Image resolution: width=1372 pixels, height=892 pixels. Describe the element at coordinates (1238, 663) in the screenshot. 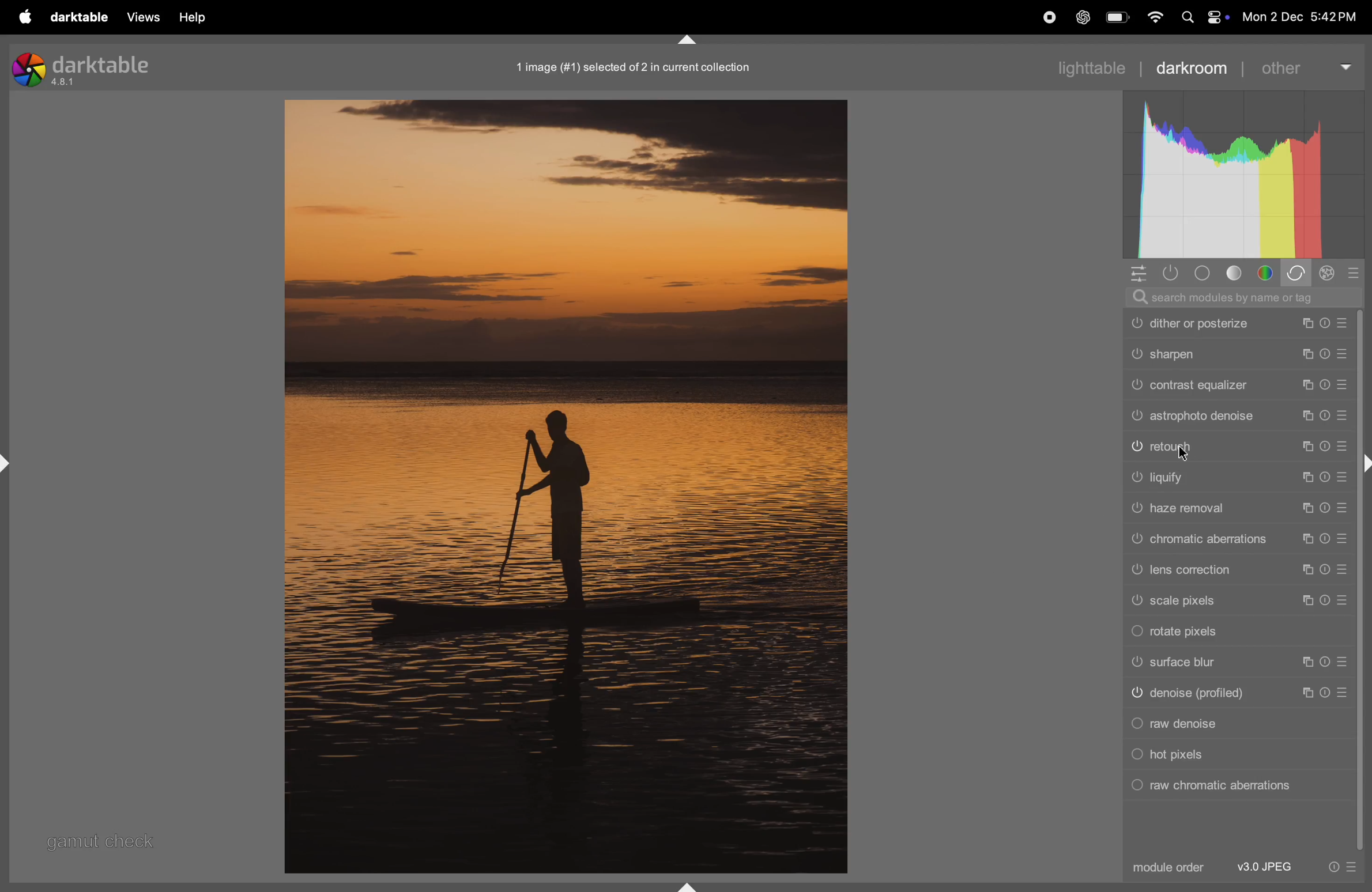

I see `surface blur` at that location.